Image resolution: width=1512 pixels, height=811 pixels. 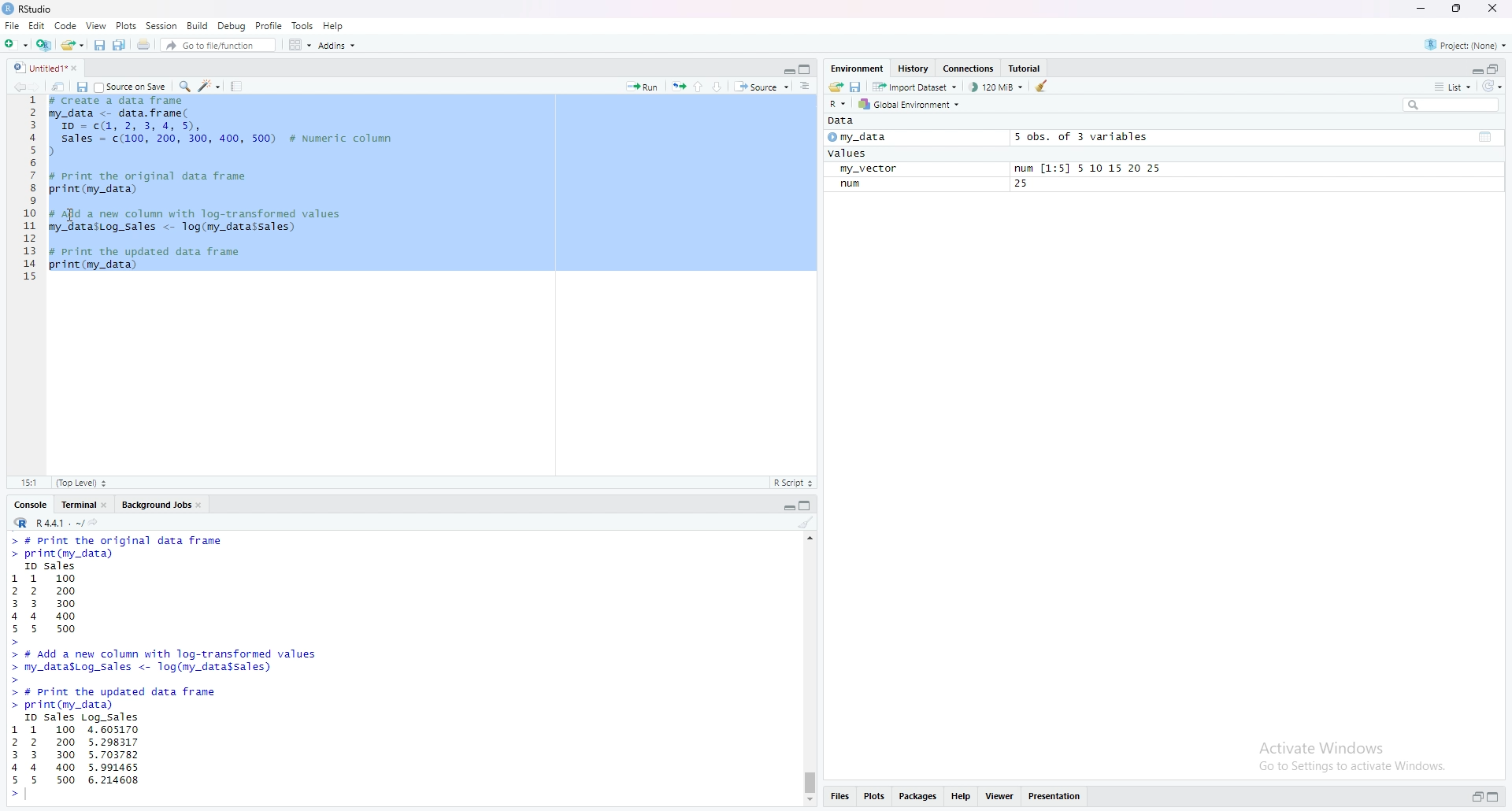 I want to click on search field, so click(x=1449, y=106).